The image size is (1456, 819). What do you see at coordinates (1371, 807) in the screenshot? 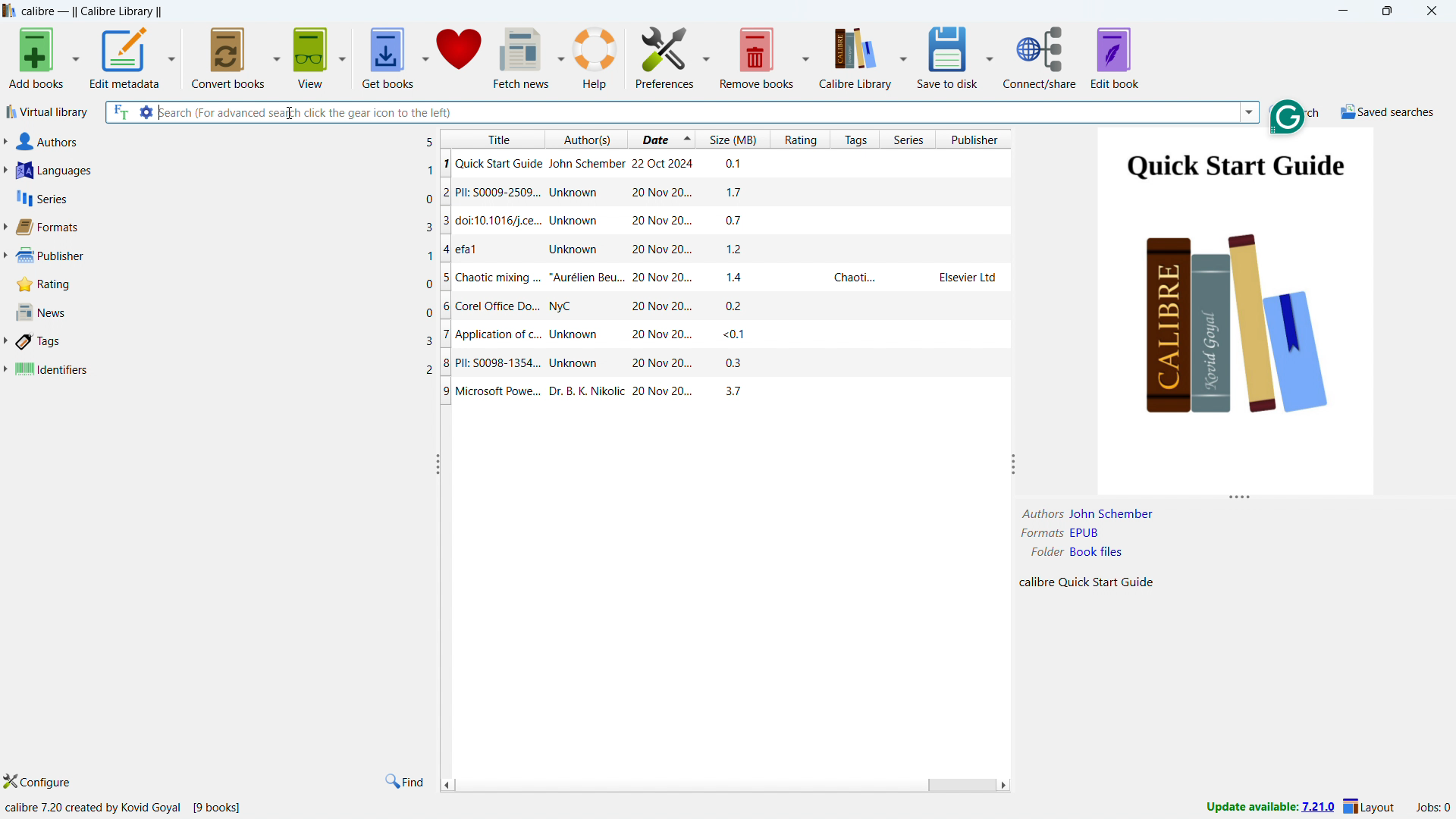
I see `layout` at bounding box center [1371, 807].